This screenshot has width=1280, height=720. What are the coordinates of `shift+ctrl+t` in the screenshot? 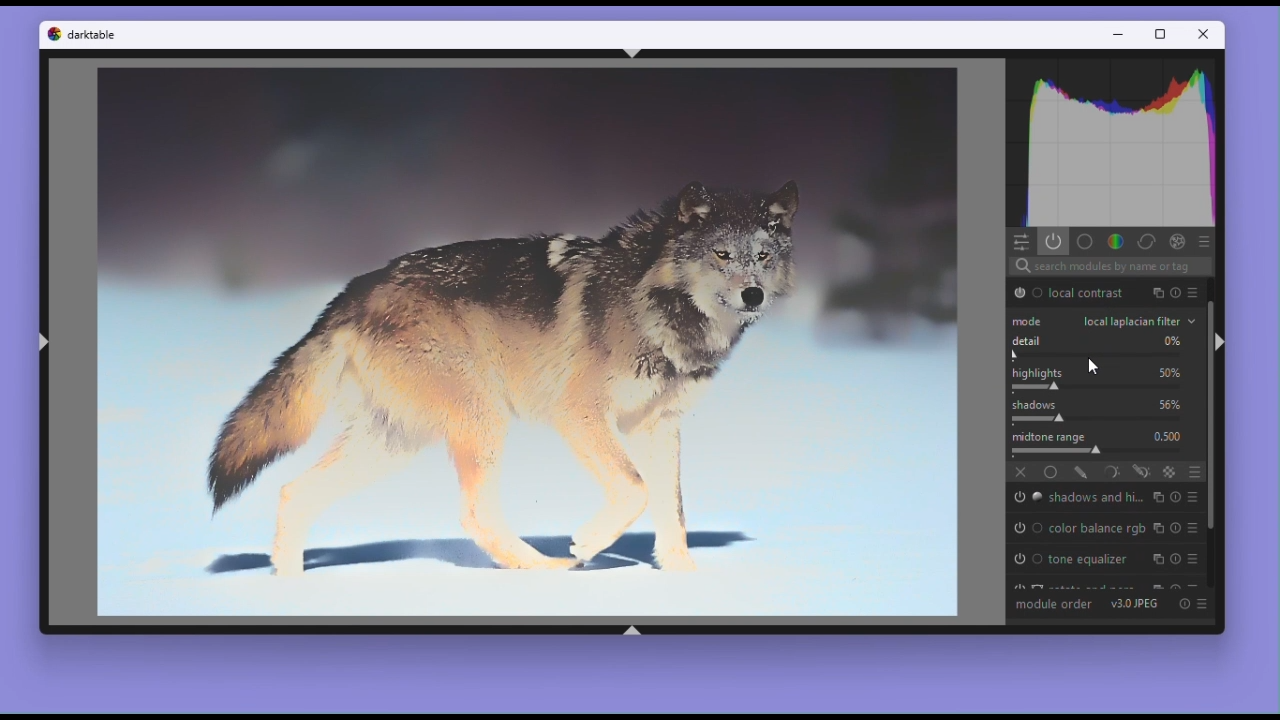 It's located at (635, 52).